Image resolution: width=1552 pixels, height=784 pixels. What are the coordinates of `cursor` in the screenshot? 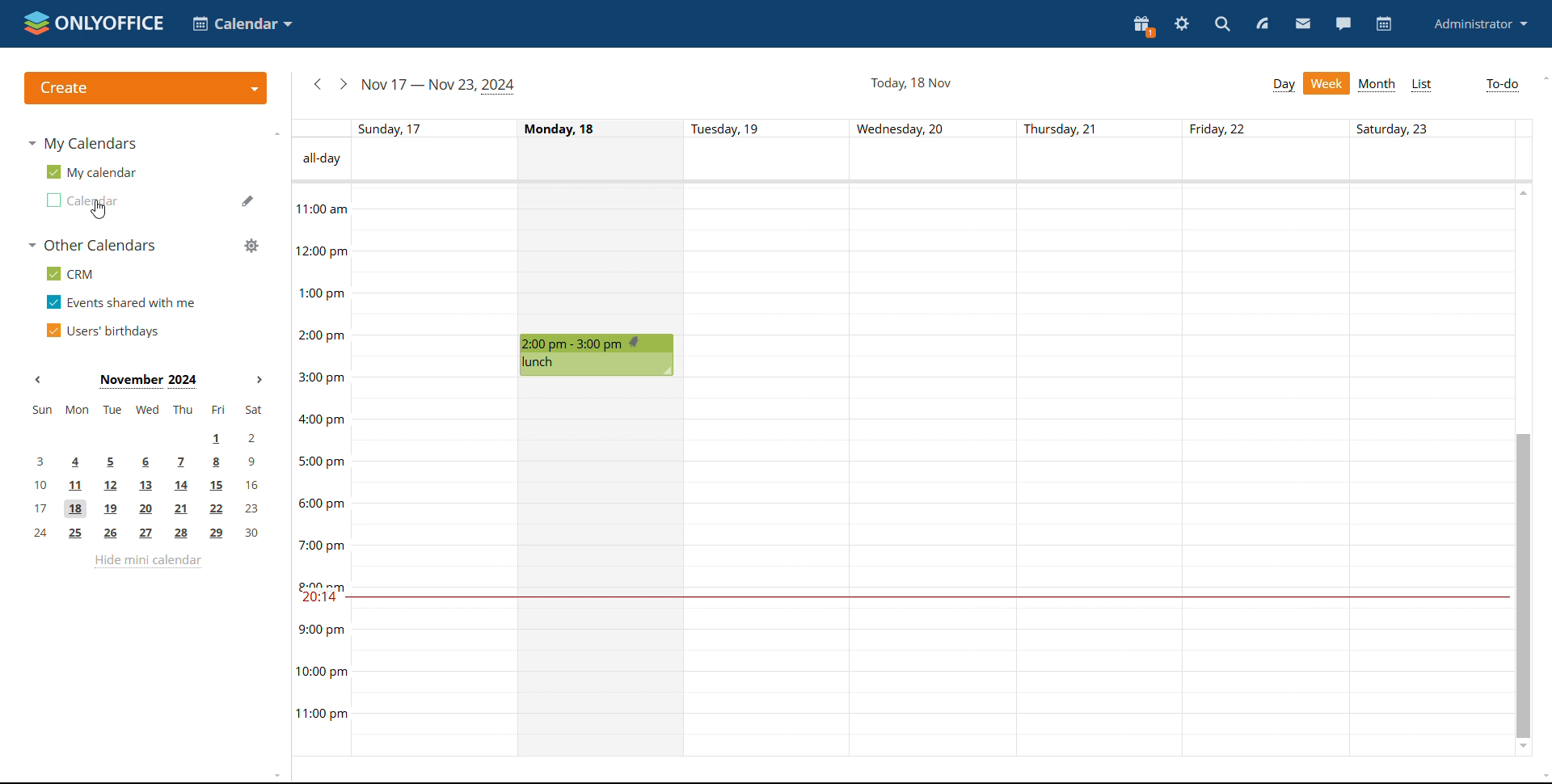 It's located at (99, 212).